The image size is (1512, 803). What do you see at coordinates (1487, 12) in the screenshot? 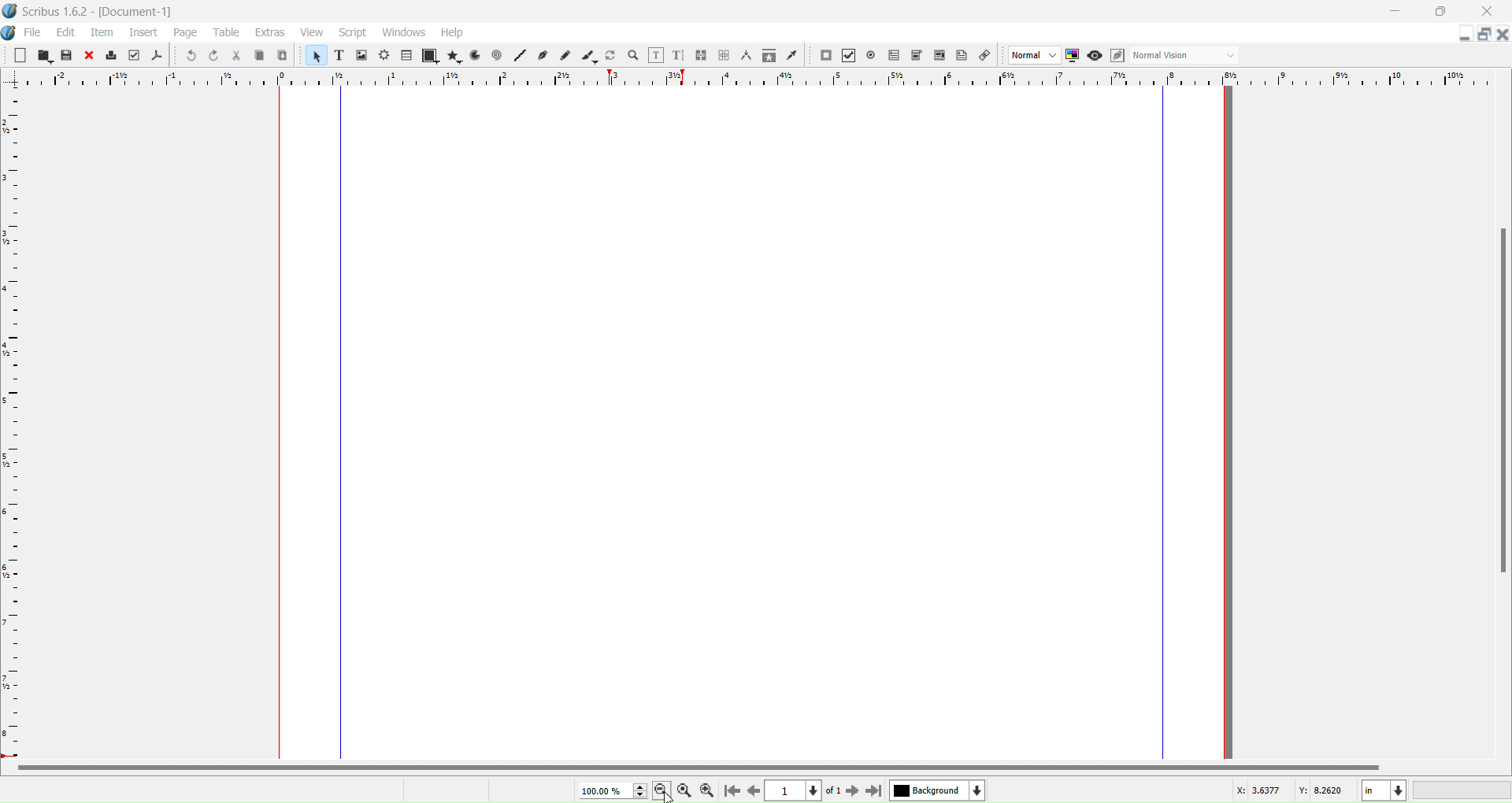
I see `Close` at bounding box center [1487, 12].